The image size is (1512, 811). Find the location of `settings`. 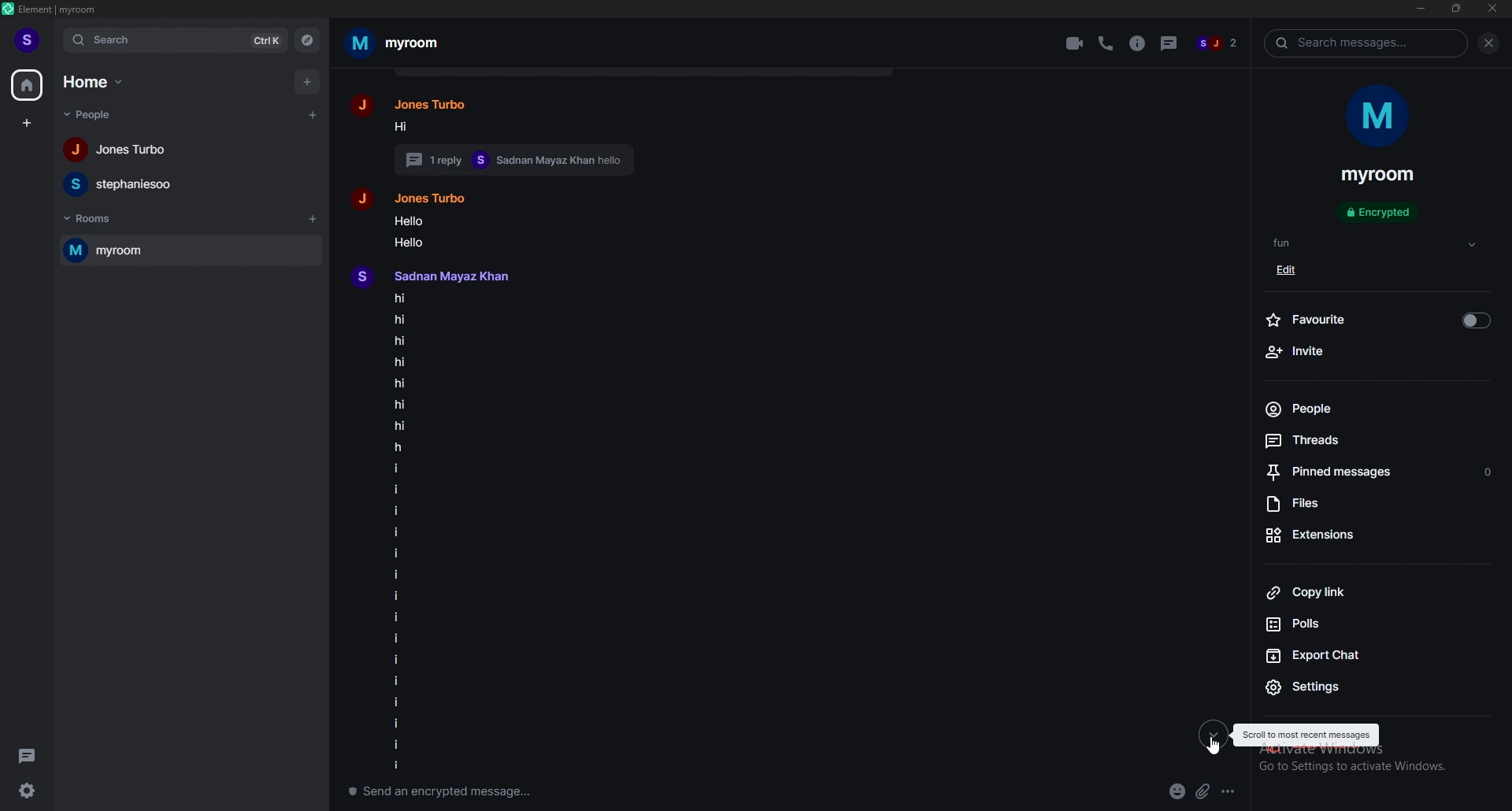

settings is located at coordinates (28, 791).